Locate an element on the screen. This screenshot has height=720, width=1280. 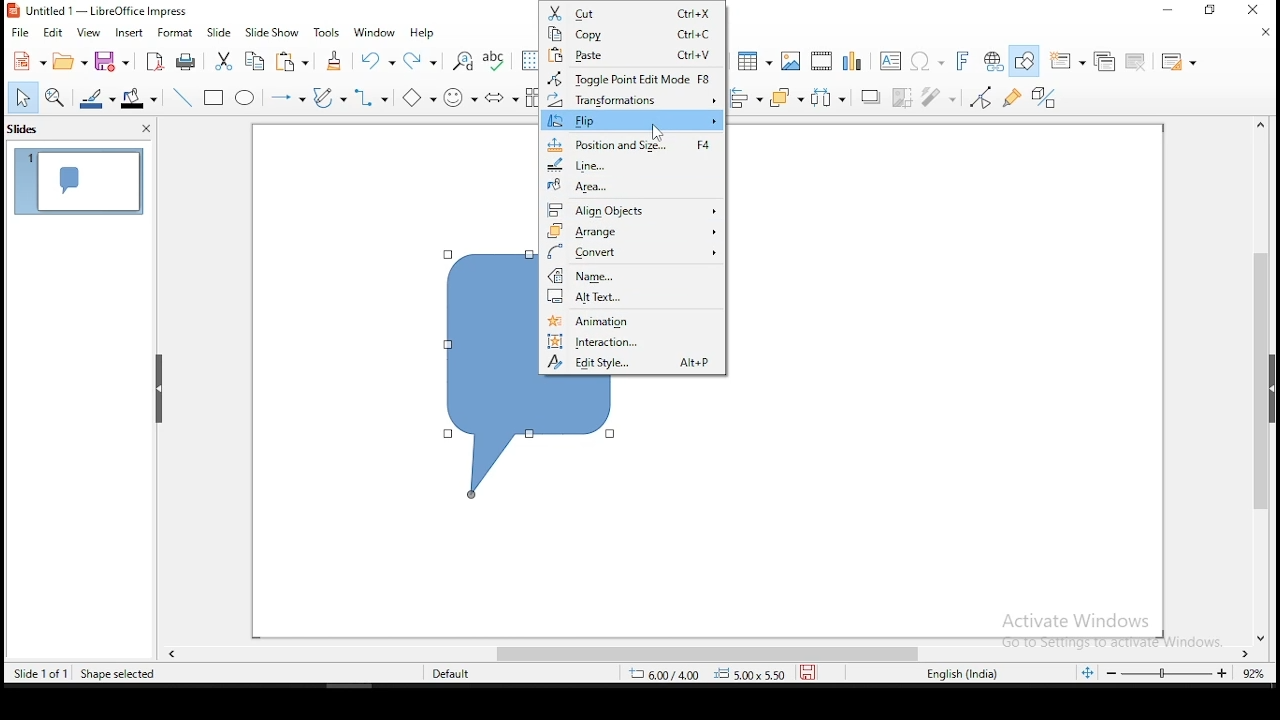
close pane is located at coordinates (145, 128).